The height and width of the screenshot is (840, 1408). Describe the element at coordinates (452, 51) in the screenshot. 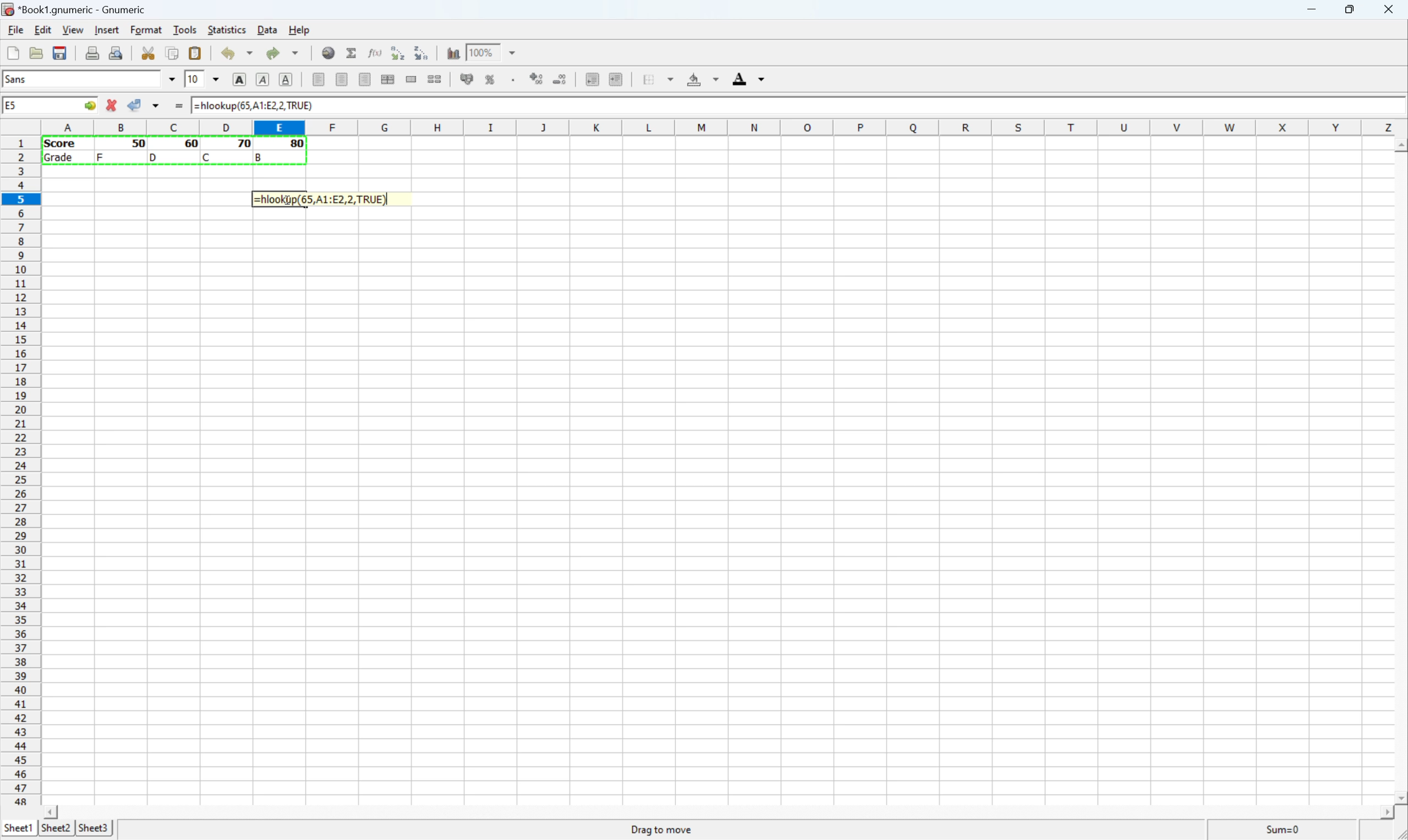

I see `Insert Chart` at that location.